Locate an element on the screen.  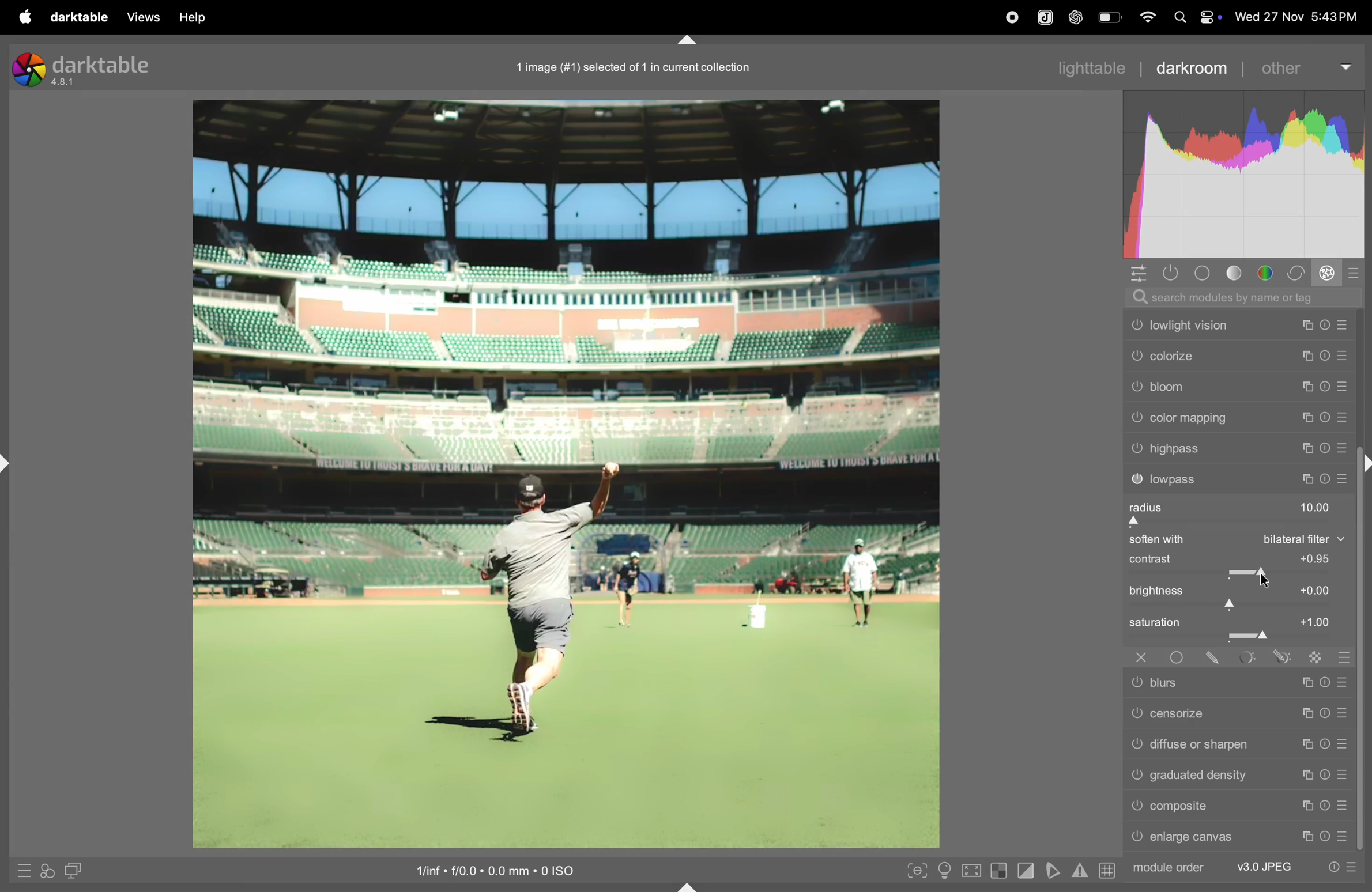
toggle clipping indications is located at coordinates (1027, 870).